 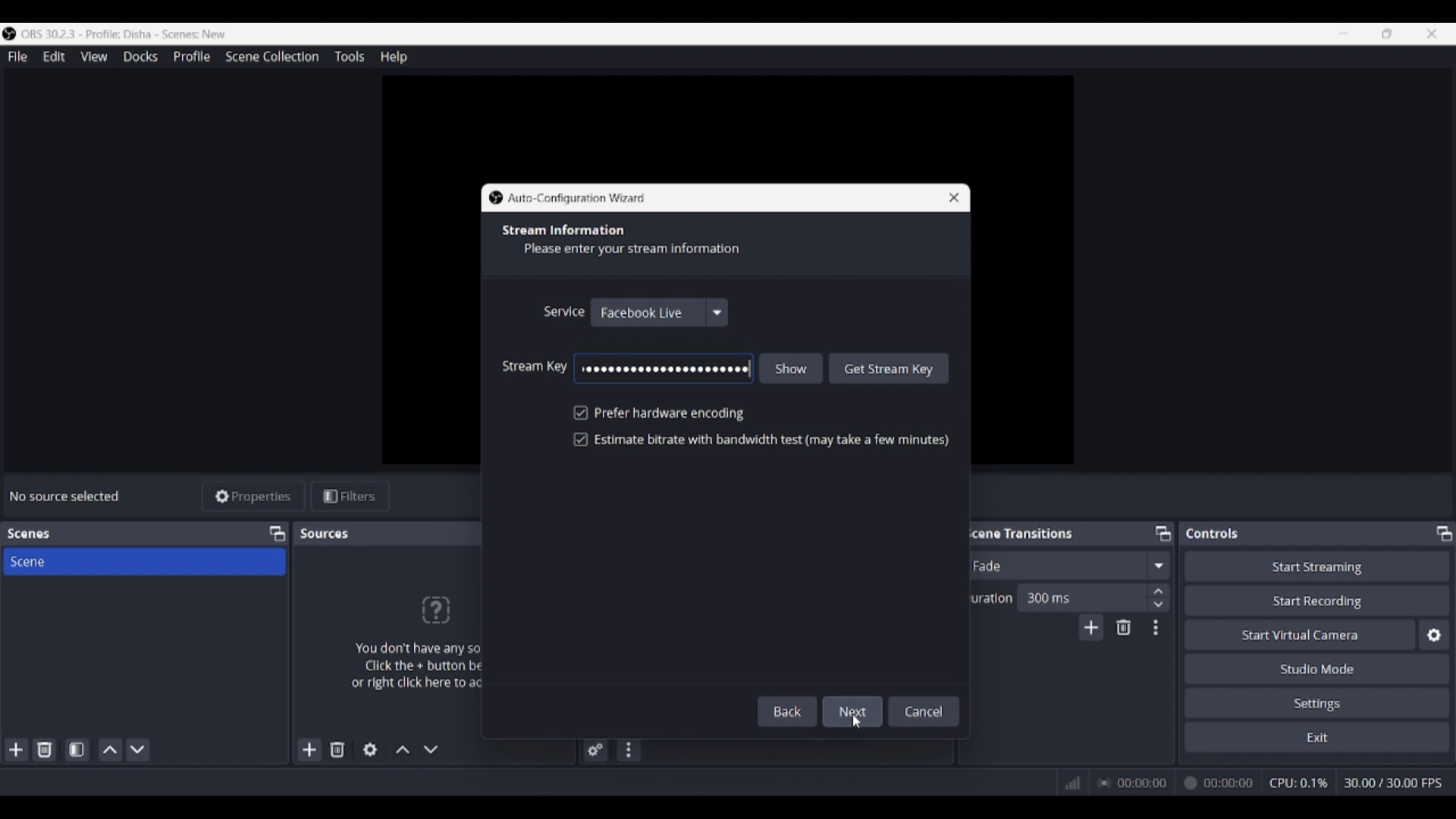 I want to click on Next, so click(x=854, y=708).